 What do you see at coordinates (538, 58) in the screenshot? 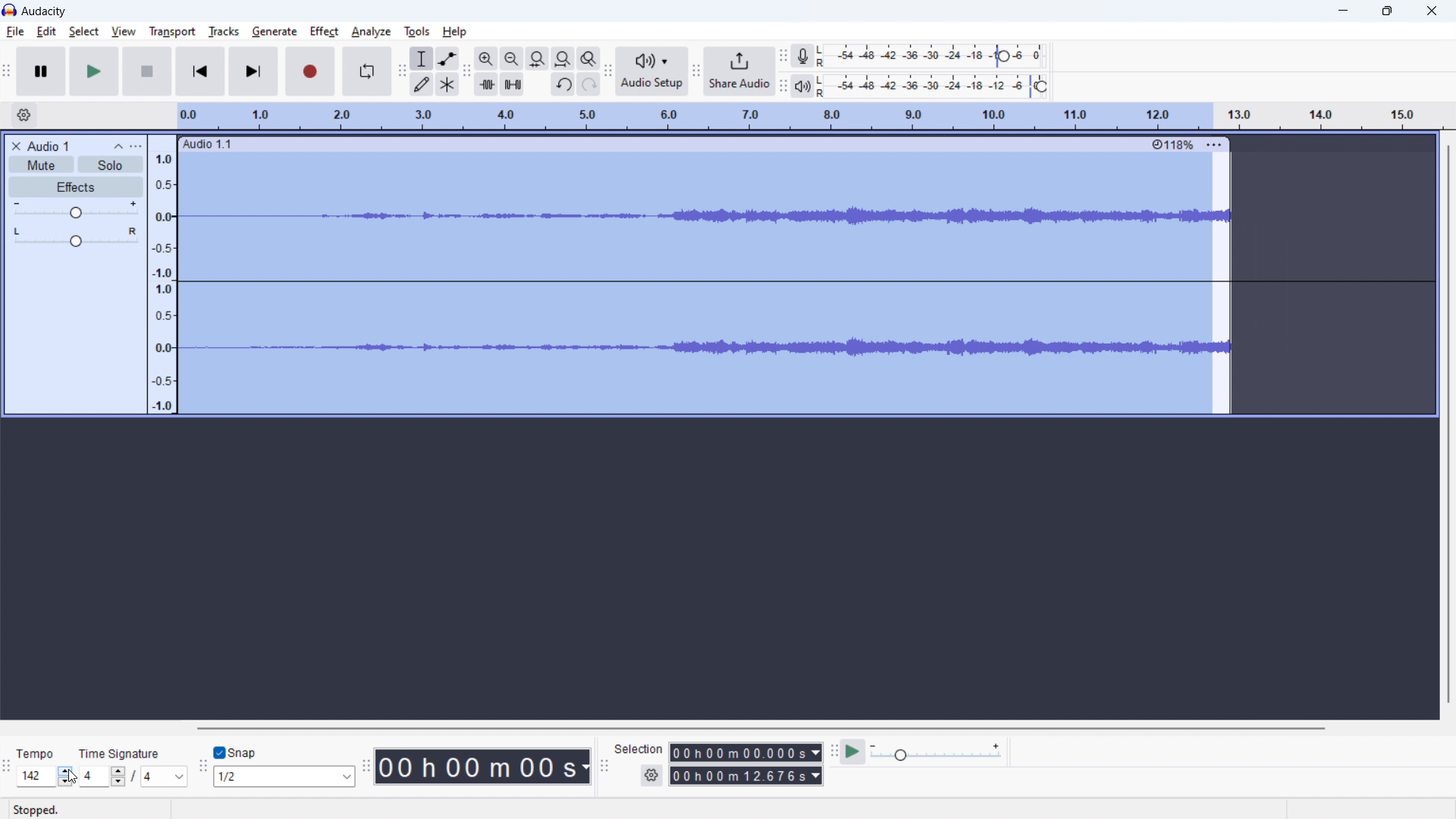
I see `fit selection to width` at bounding box center [538, 58].